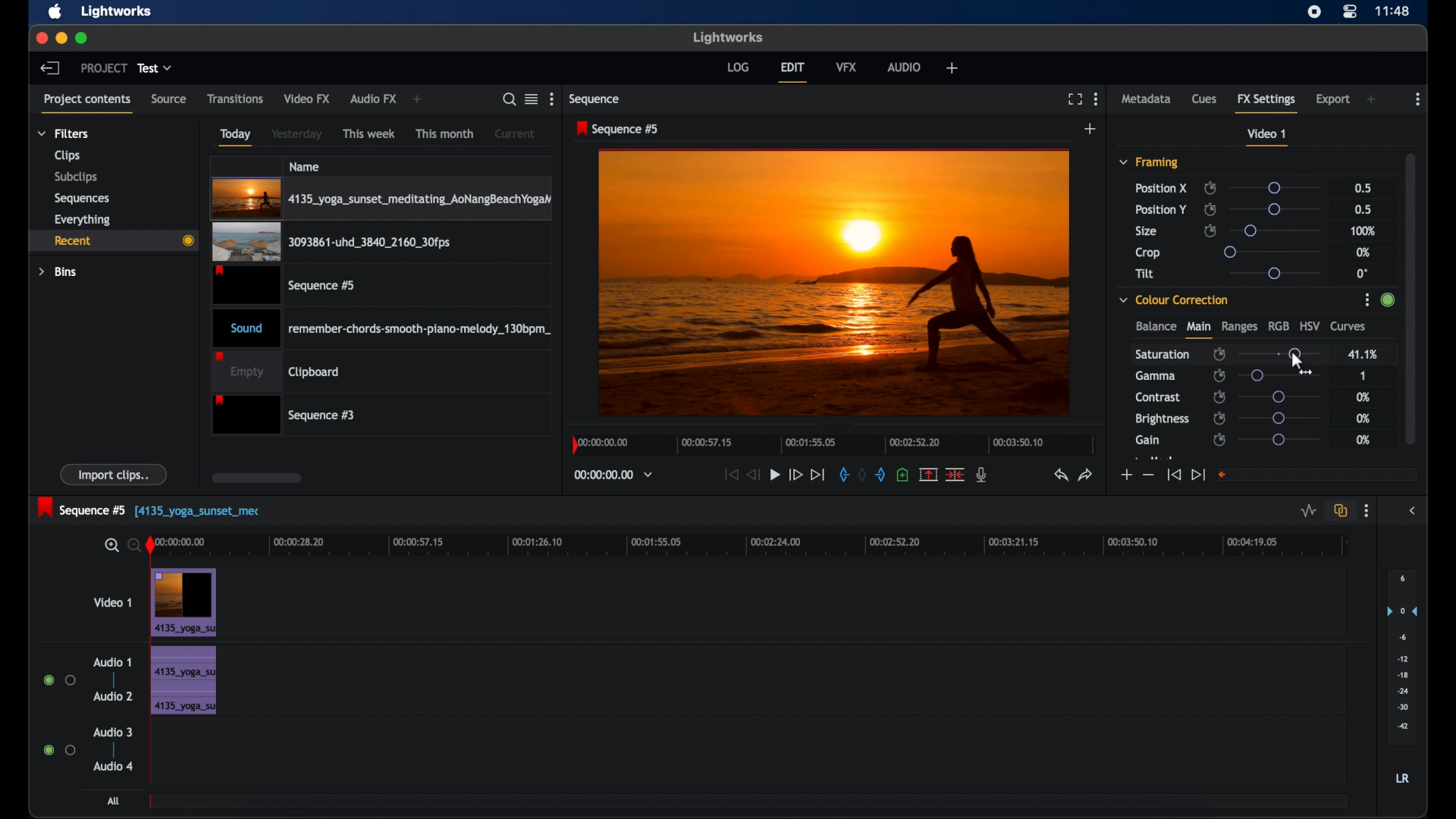 This screenshot has height=819, width=1456. Describe the element at coordinates (1147, 99) in the screenshot. I see `metadata` at that location.